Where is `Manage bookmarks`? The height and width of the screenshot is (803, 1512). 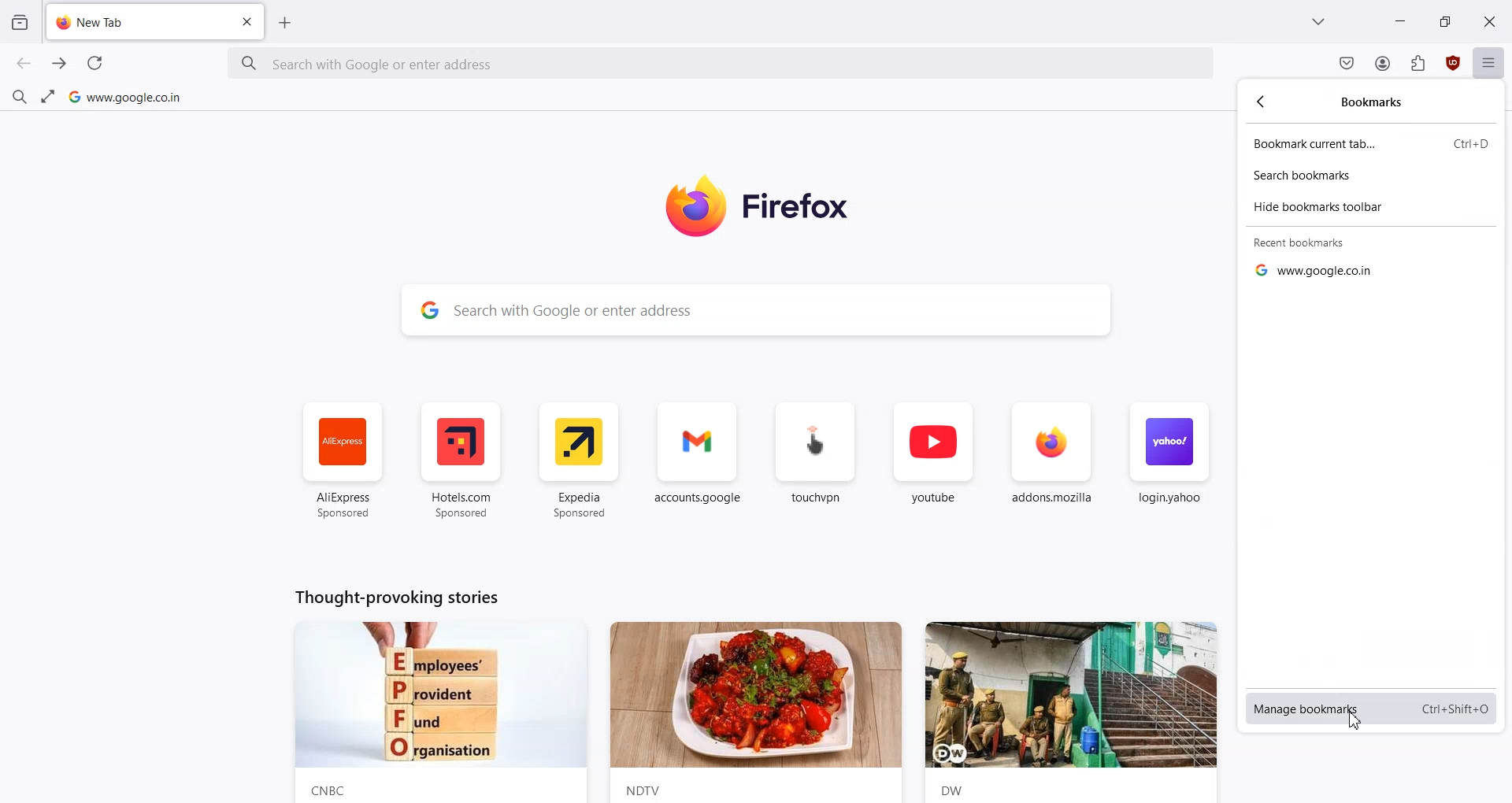
Manage bookmarks is located at coordinates (1322, 711).